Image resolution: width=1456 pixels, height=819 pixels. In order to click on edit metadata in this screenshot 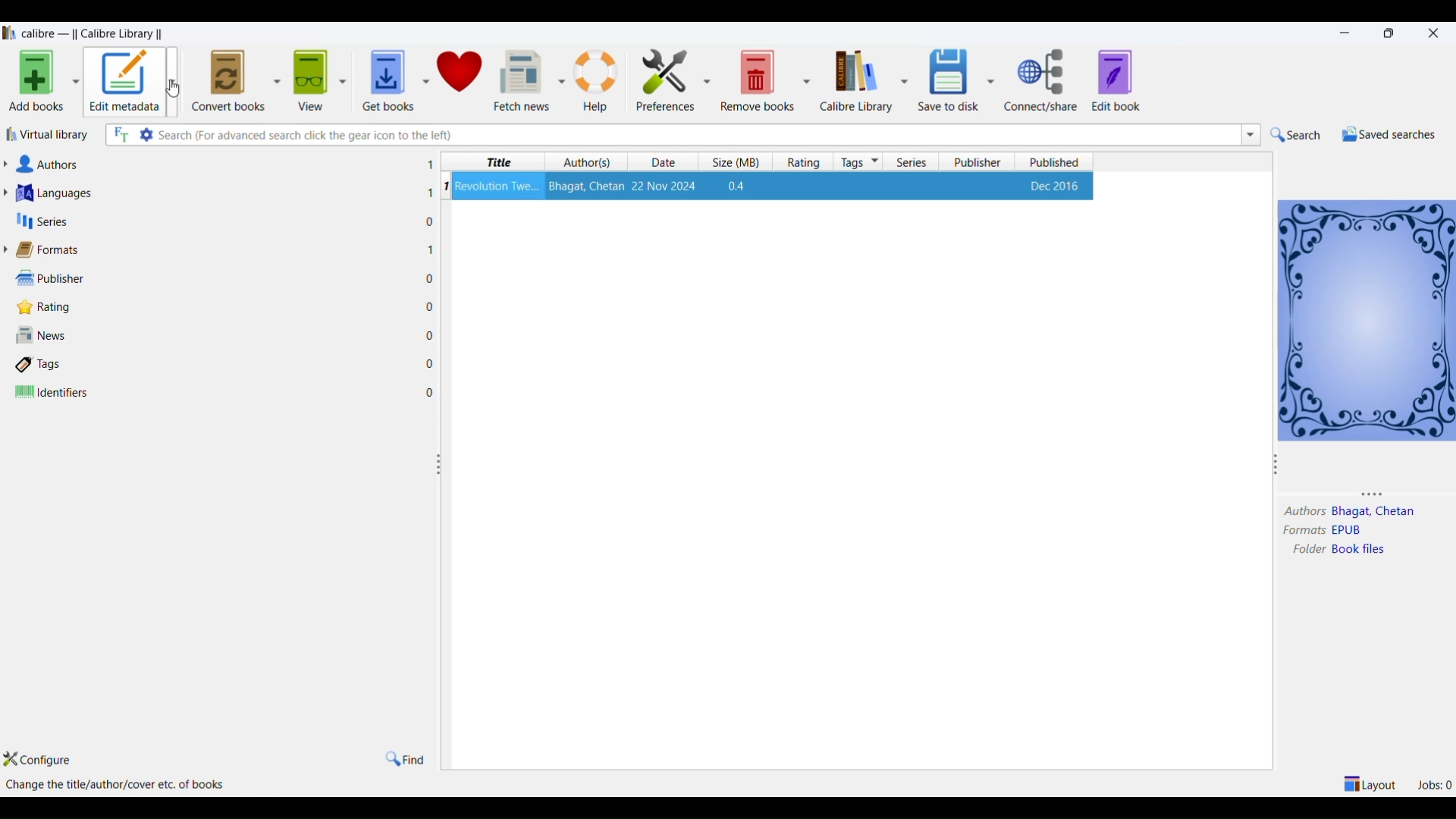, I will do `click(125, 82)`.